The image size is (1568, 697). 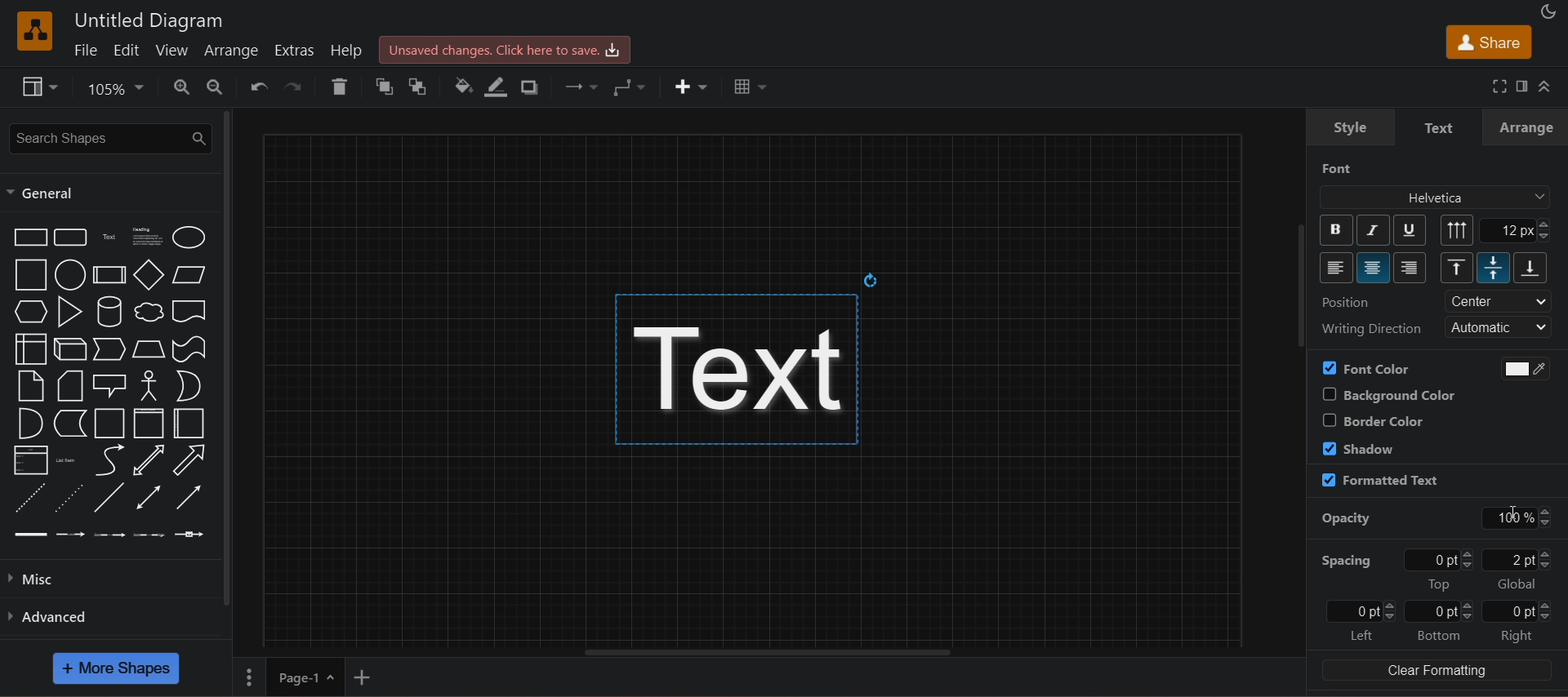 I want to click on 0 pt, so click(x=1519, y=611).